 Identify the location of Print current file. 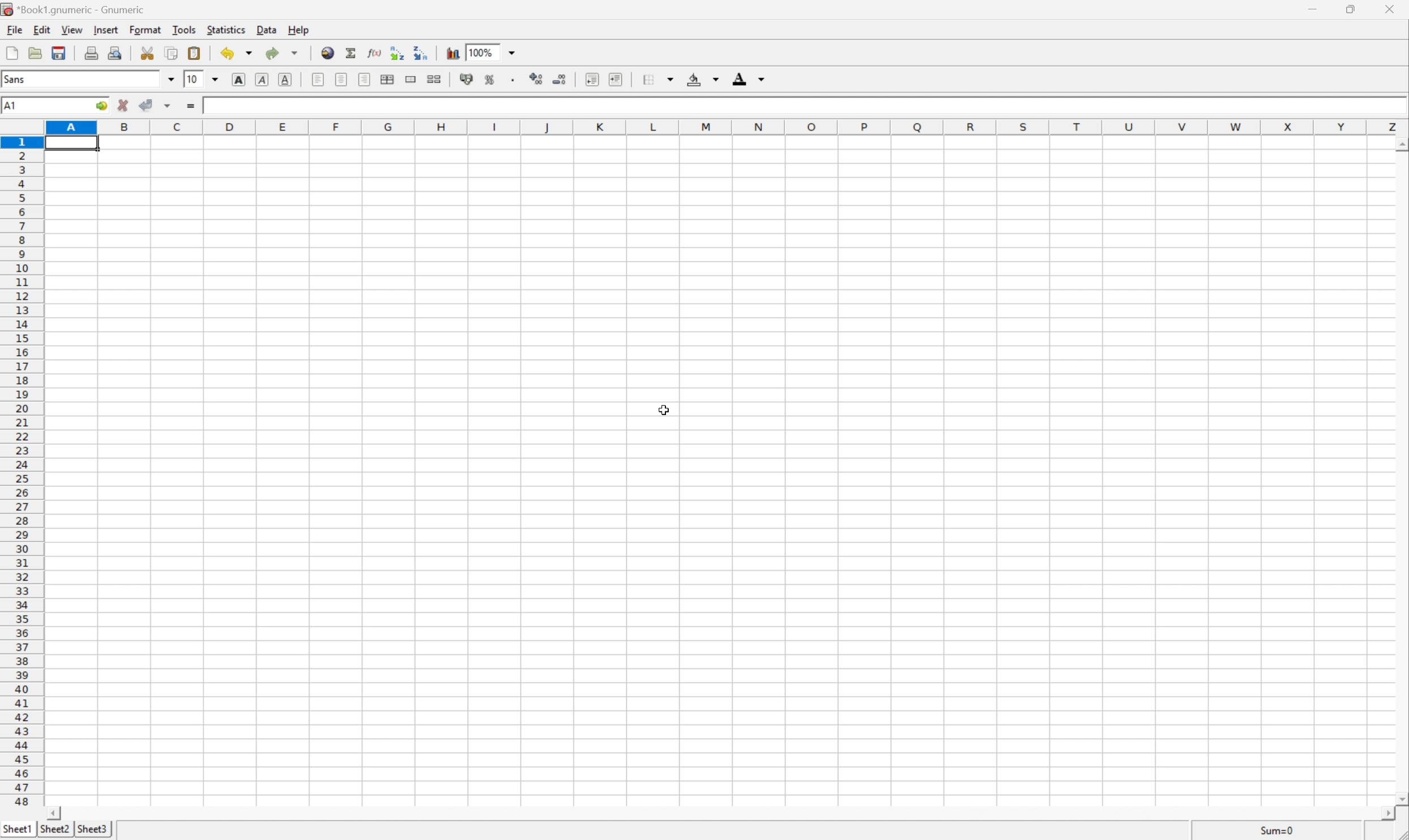
(92, 53).